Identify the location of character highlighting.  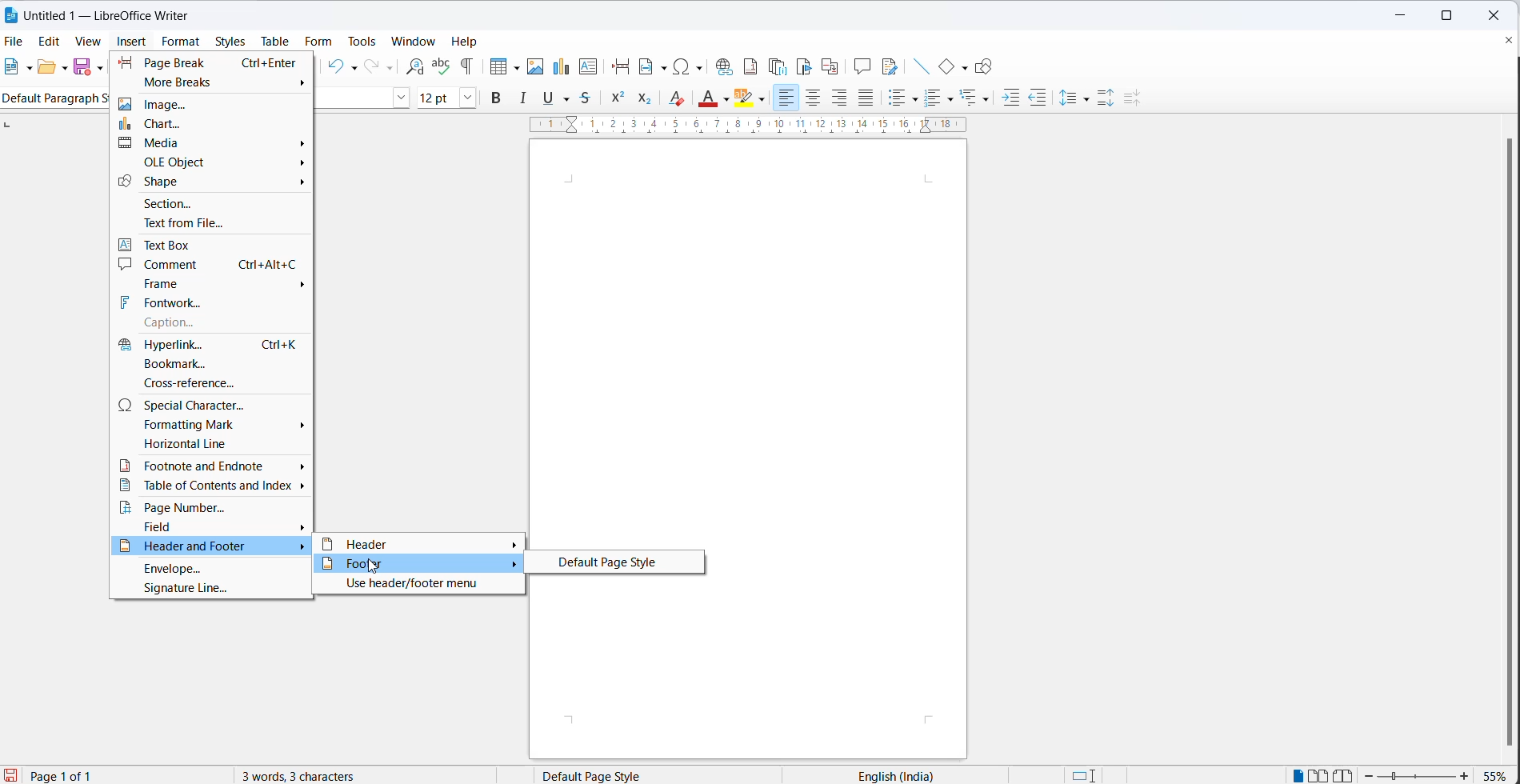
(763, 100).